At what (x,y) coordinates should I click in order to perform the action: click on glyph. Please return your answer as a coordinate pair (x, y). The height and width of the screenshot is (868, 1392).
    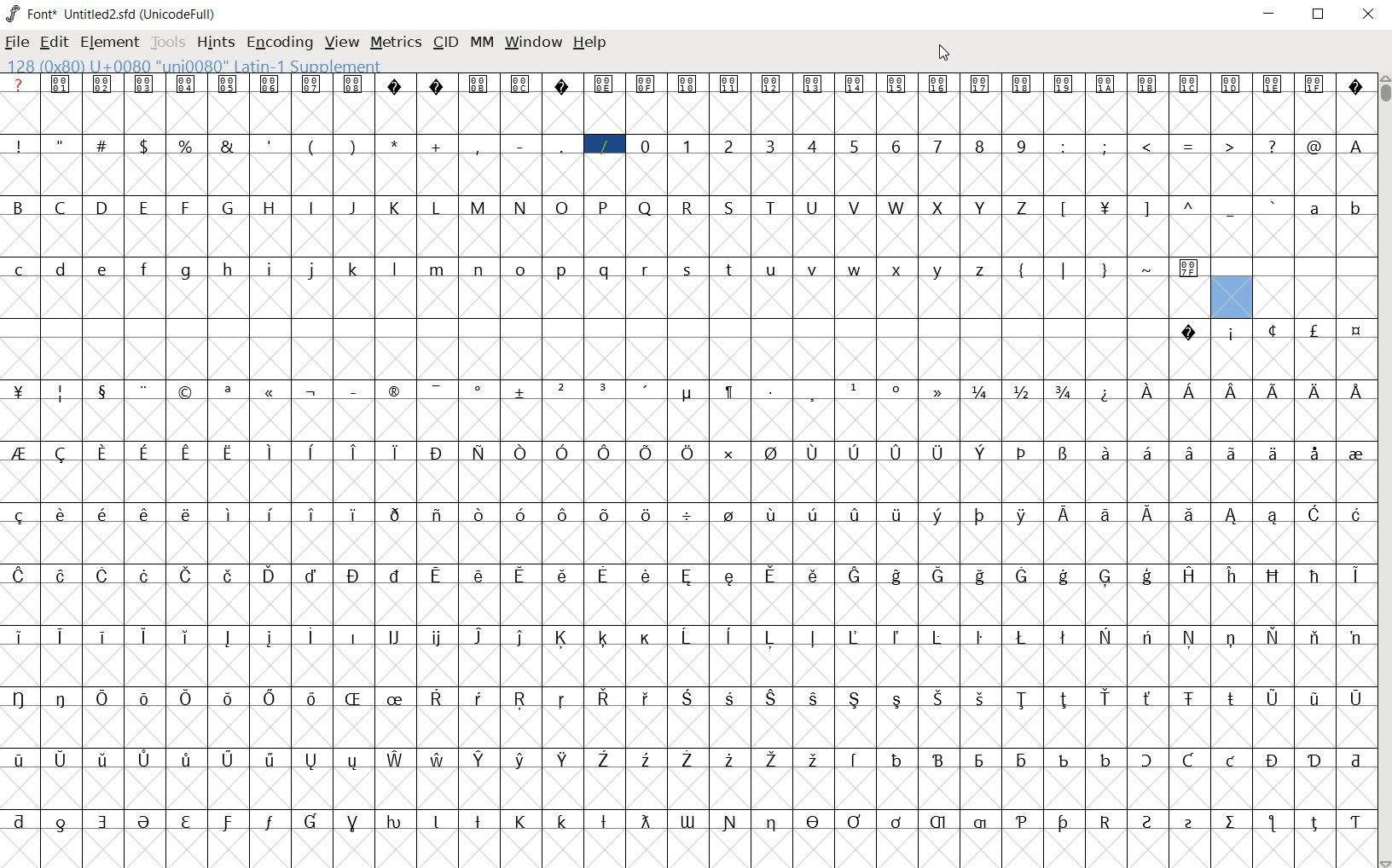
    Looking at the image, I should click on (1273, 699).